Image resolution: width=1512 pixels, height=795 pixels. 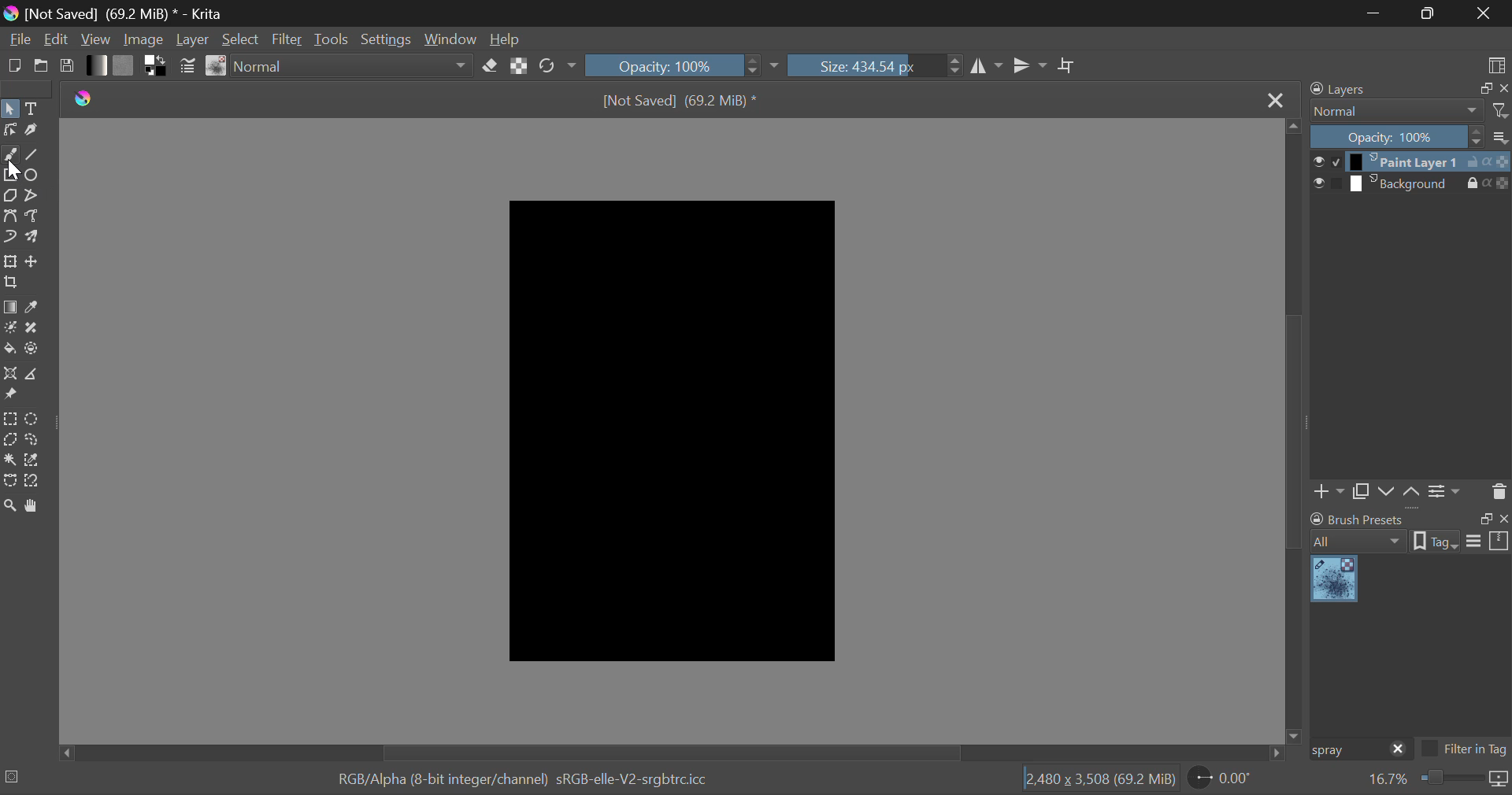 What do you see at coordinates (1406, 163) in the screenshot?
I see `layer 1` at bounding box center [1406, 163].